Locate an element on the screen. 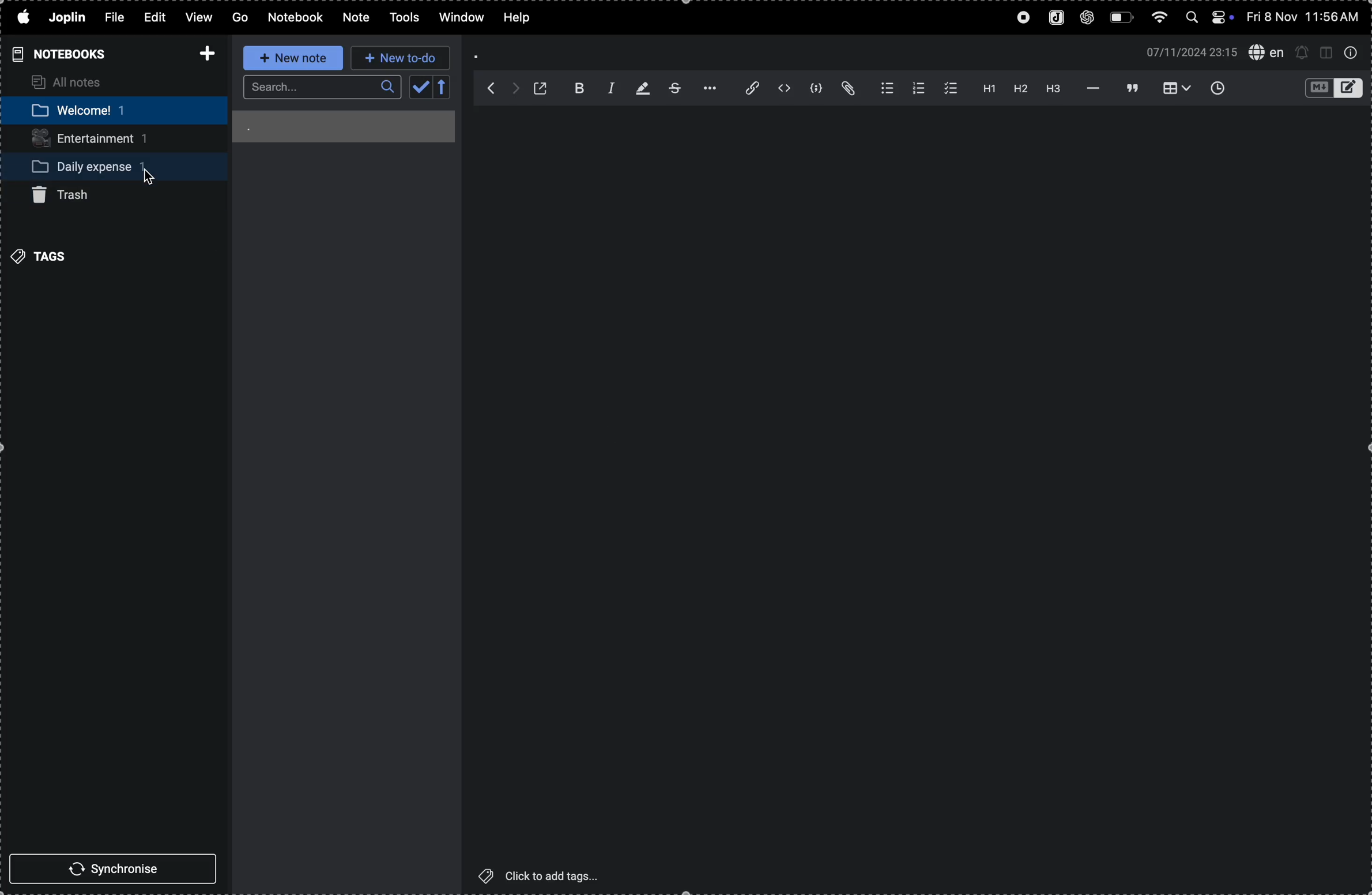 The height and width of the screenshot is (895, 1372). entertainment is located at coordinates (101, 140).